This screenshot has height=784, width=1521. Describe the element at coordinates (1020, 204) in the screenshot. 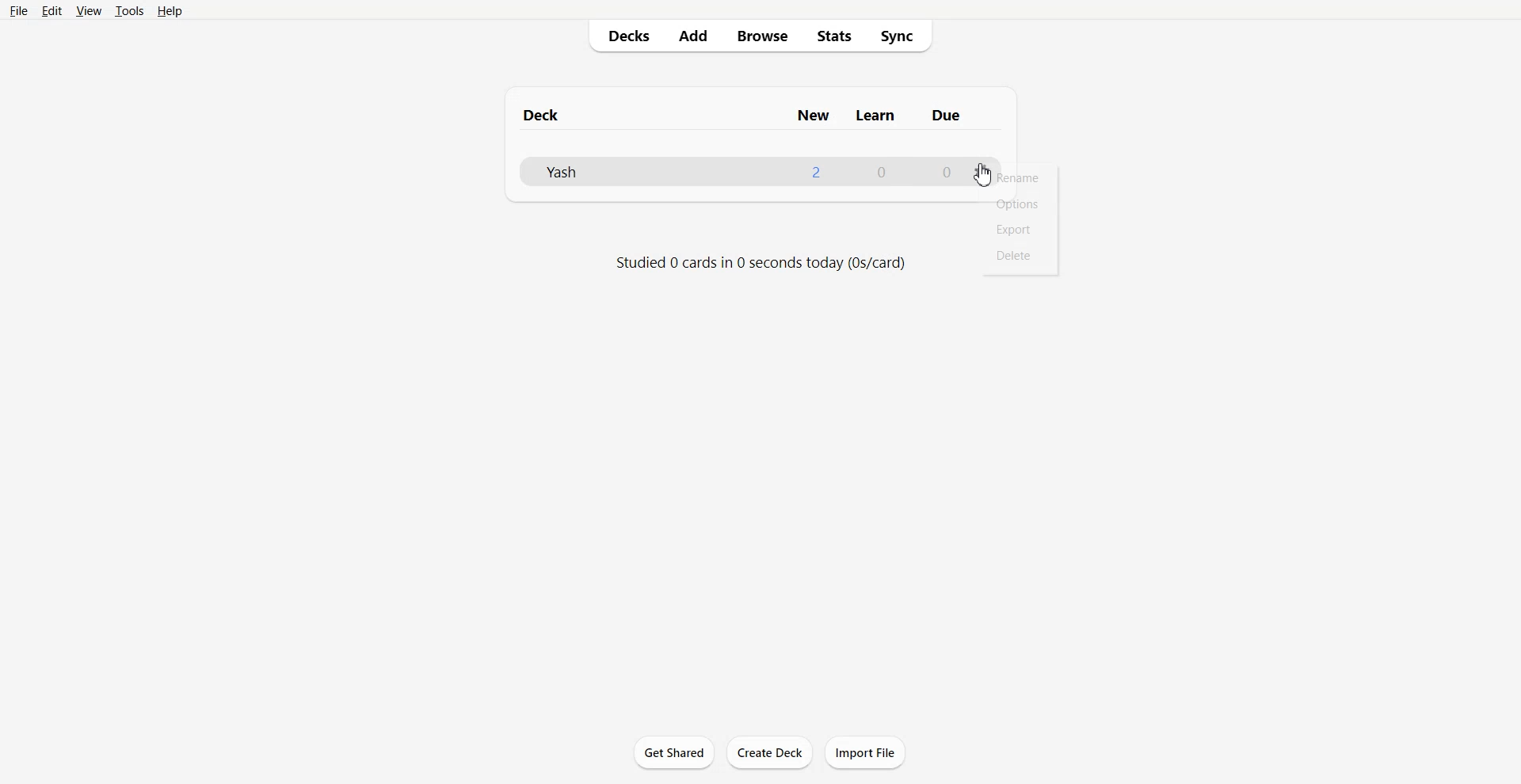

I see `options` at that location.